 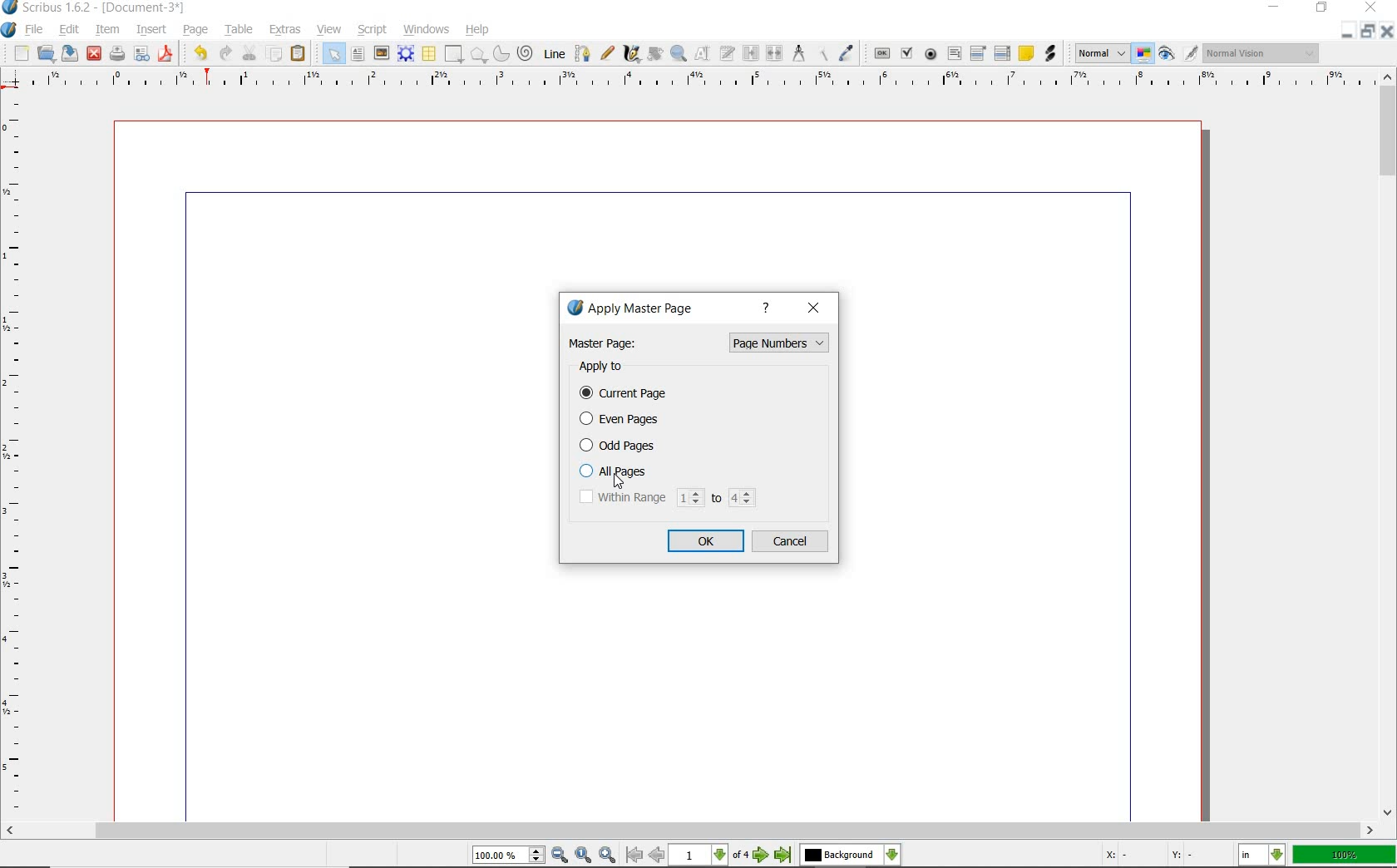 What do you see at coordinates (797, 54) in the screenshot?
I see `measurements` at bounding box center [797, 54].